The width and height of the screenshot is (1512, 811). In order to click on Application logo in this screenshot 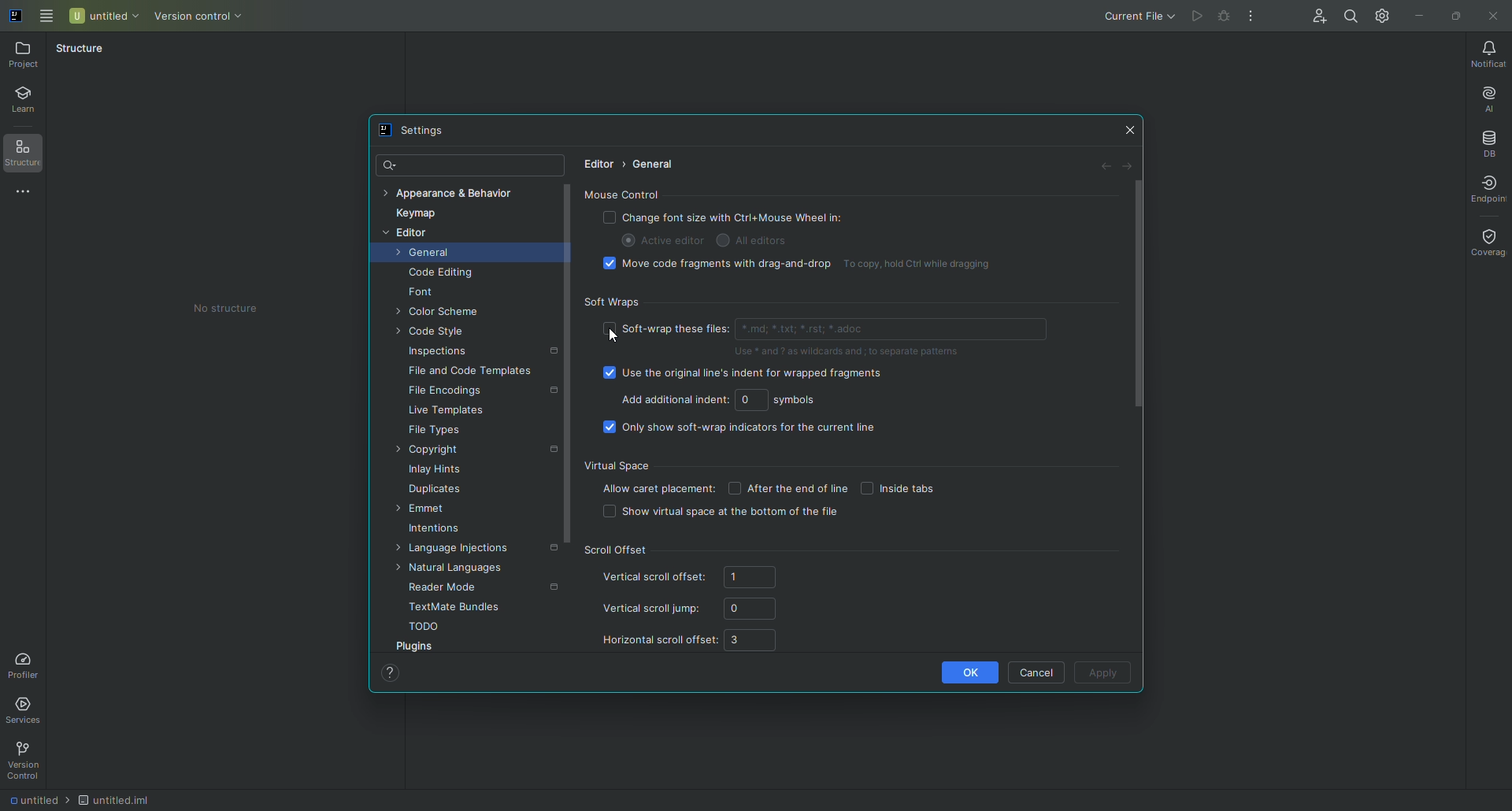, I will do `click(19, 19)`.